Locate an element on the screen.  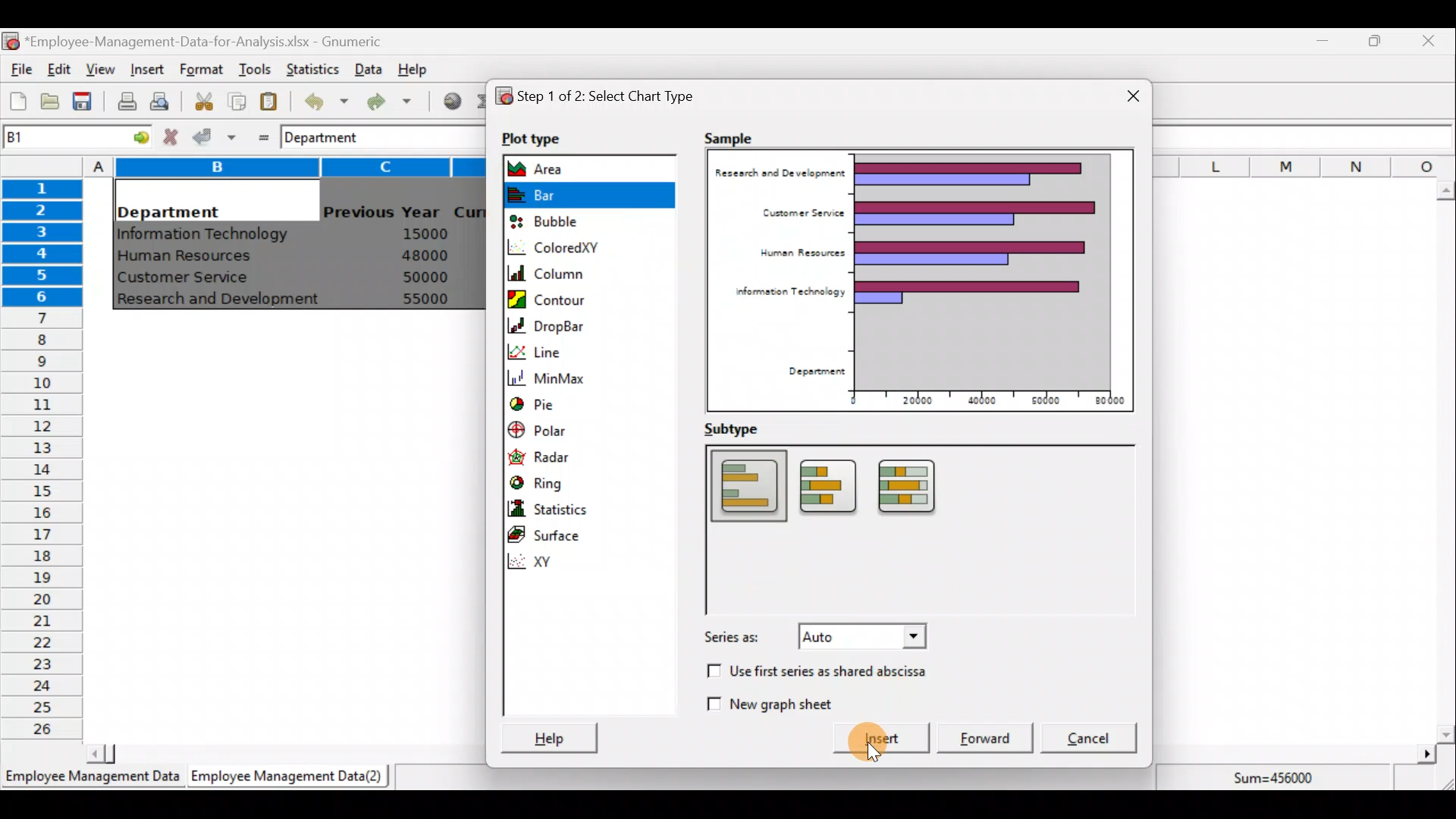
Ring is located at coordinates (563, 479).